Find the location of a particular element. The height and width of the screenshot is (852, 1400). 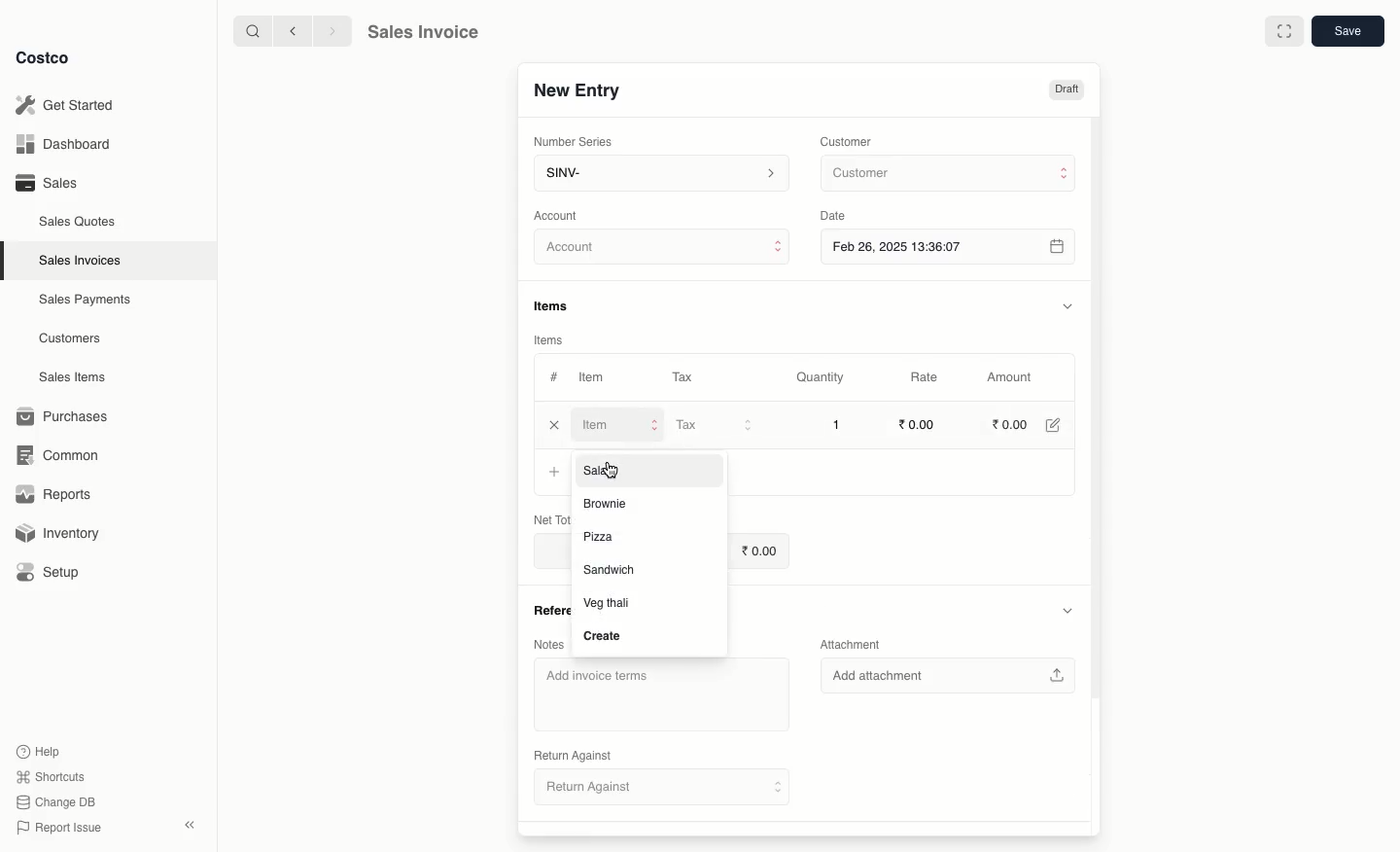

Change DB is located at coordinates (52, 800).